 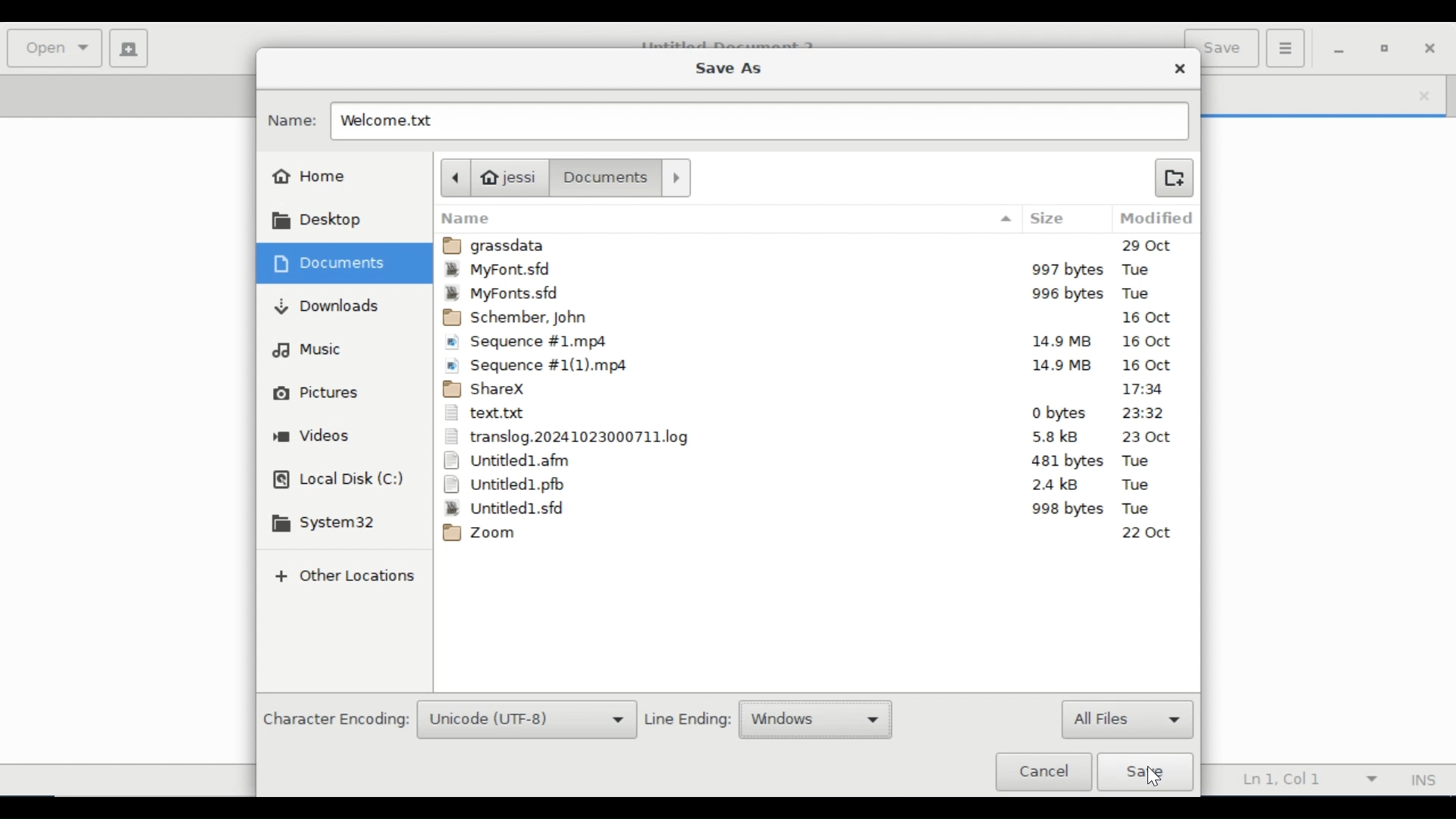 I want to click on Cancel, so click(x=1043, y=772).